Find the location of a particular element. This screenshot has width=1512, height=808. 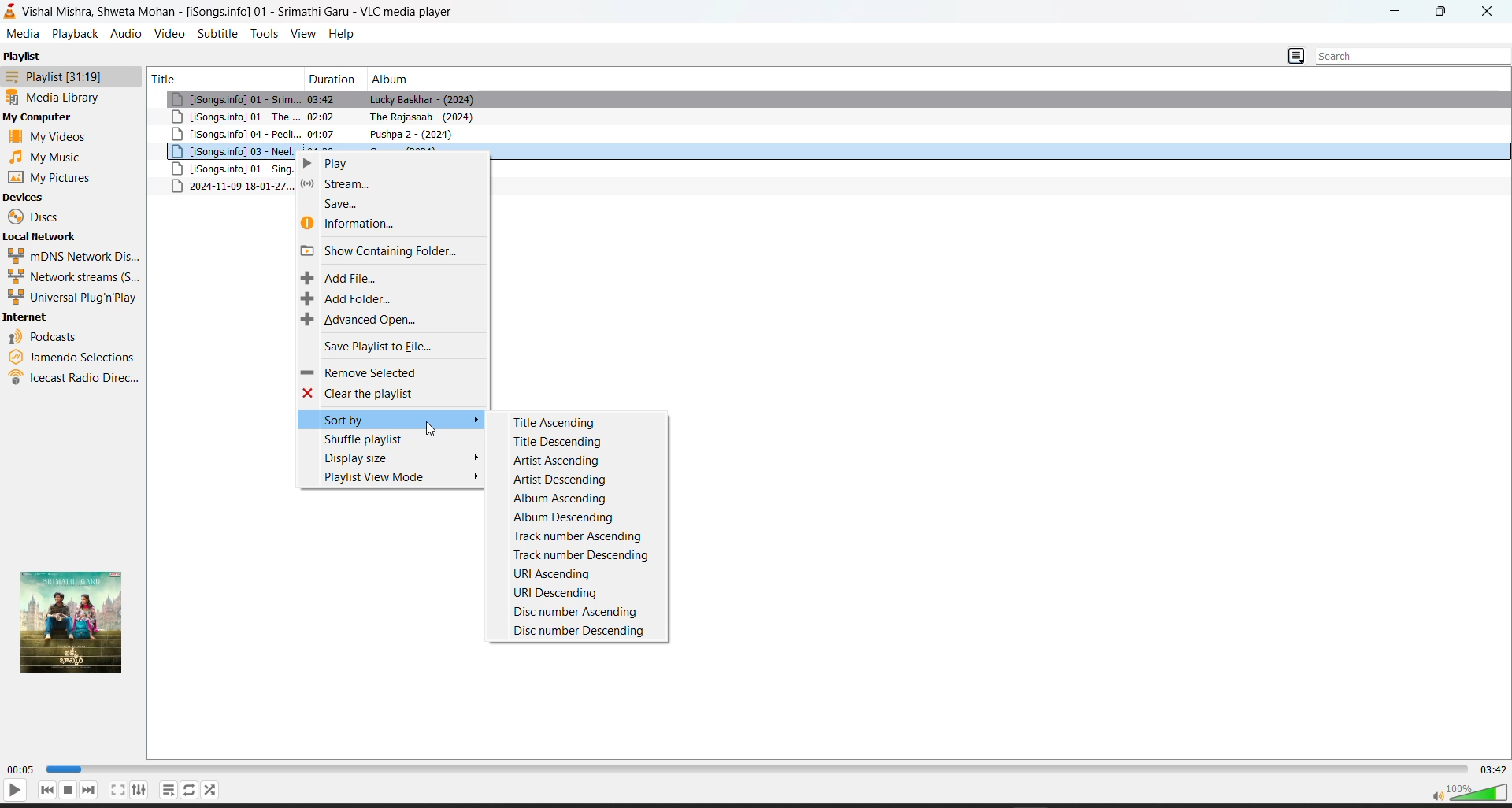

change playlist view is located at coordinates (1297, 56).